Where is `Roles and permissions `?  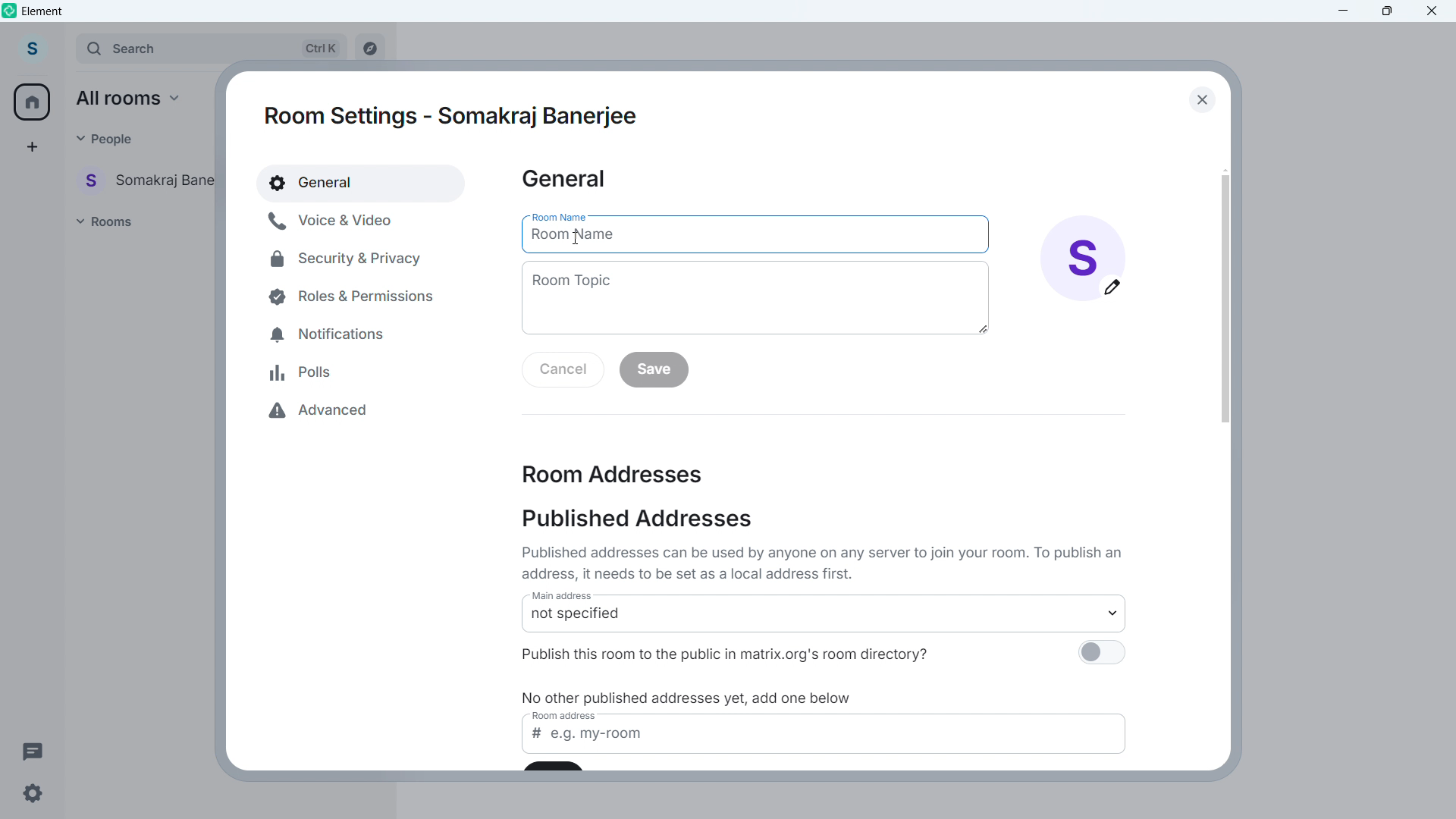
Roles and permissions  is located at coordinates (345, 296).